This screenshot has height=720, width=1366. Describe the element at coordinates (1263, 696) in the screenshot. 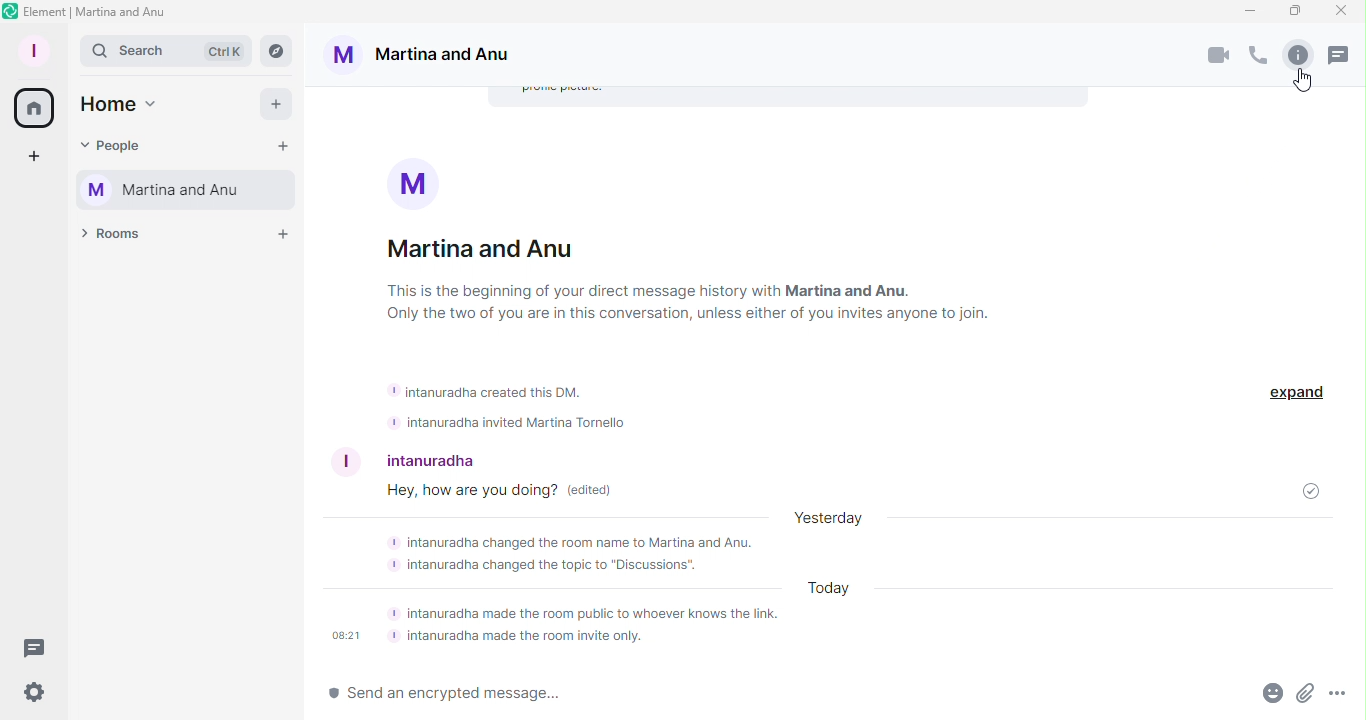

I see `Emoji` at that location.